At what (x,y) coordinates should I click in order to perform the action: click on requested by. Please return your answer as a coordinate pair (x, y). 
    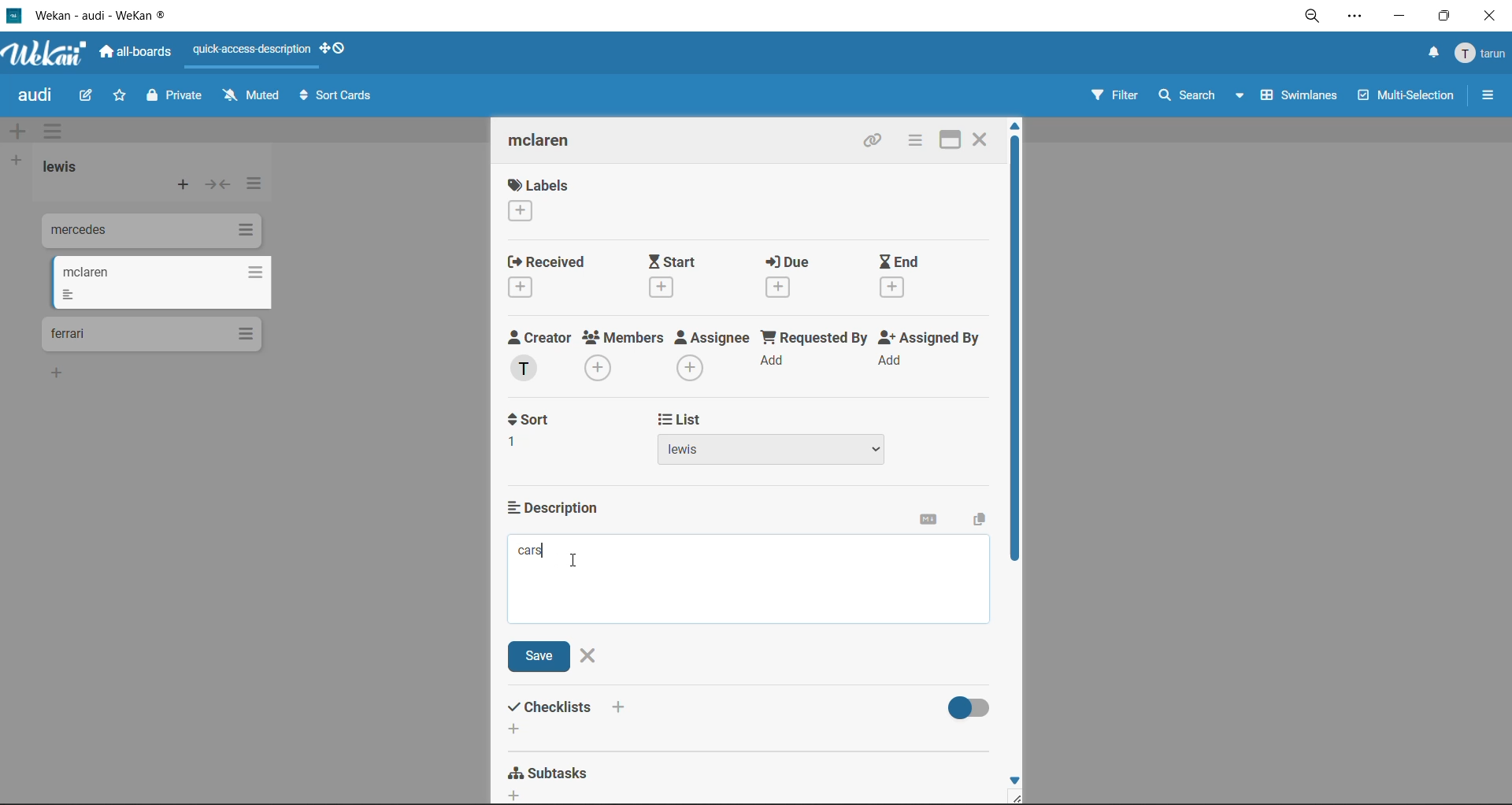
    Looking at the image, I should click on (813, 354).